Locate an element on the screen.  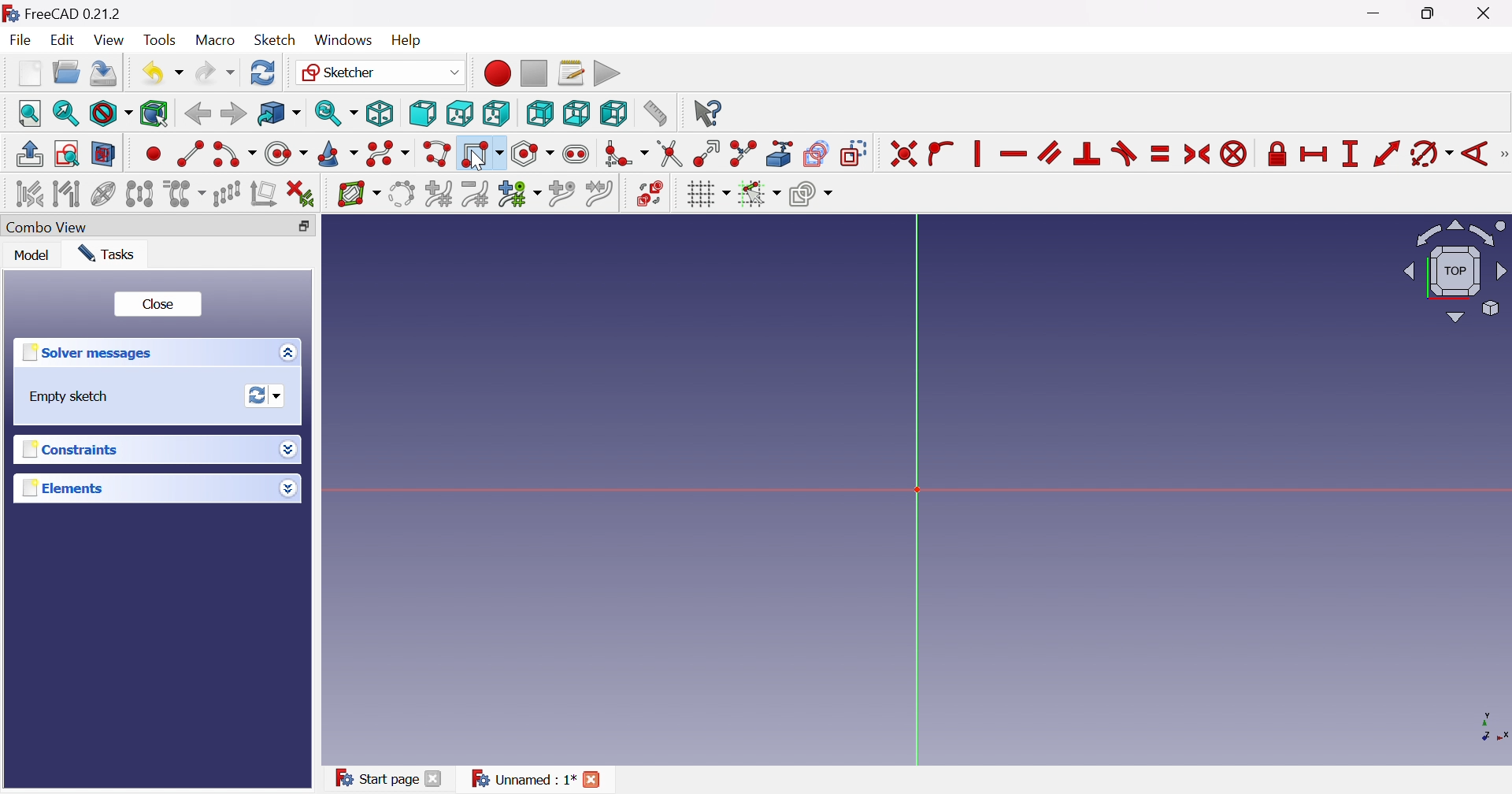
Create polyline is located at coordinates (438, 154).